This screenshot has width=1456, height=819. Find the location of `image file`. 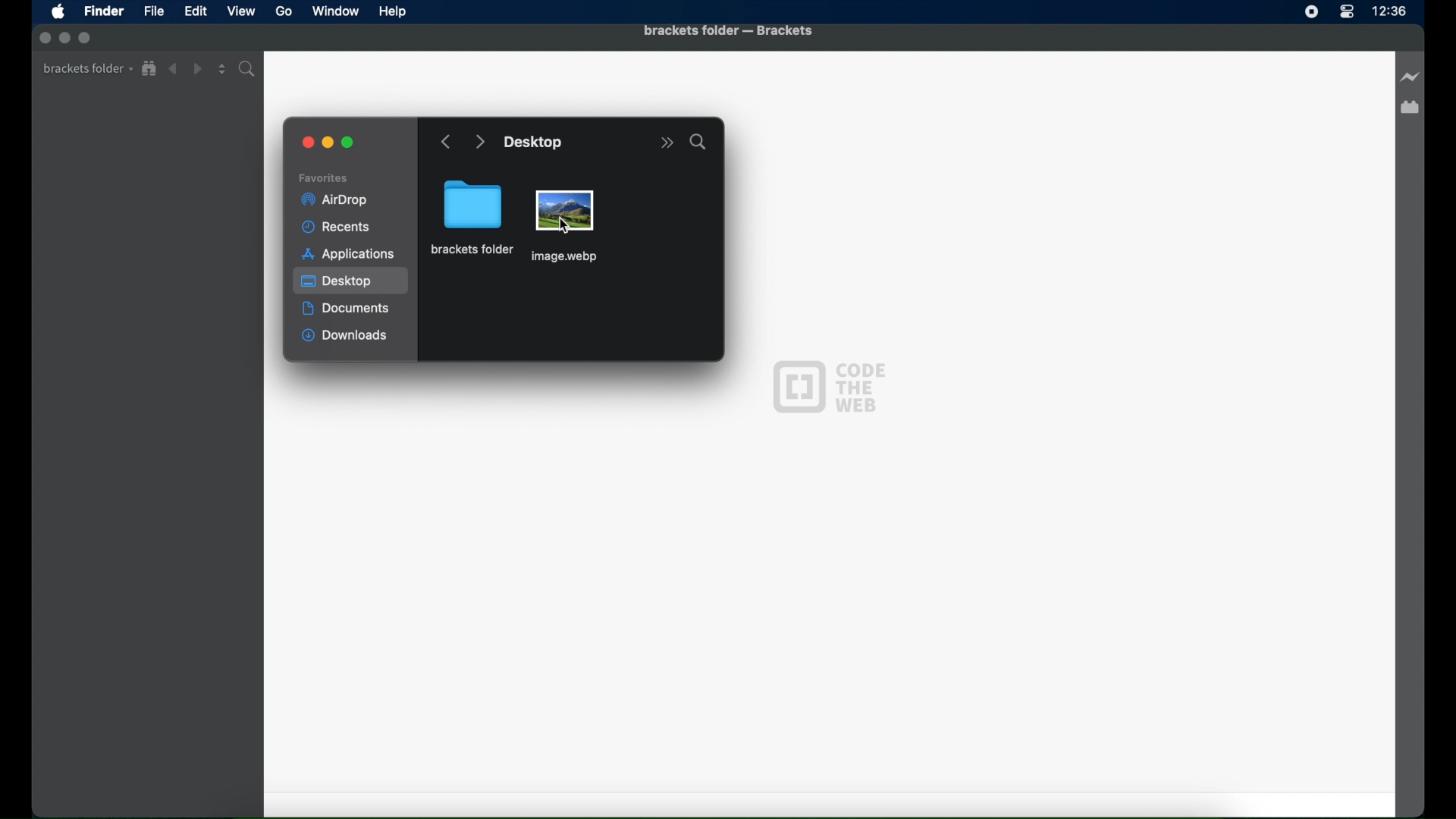

image file is located at coordinates (565, 228).